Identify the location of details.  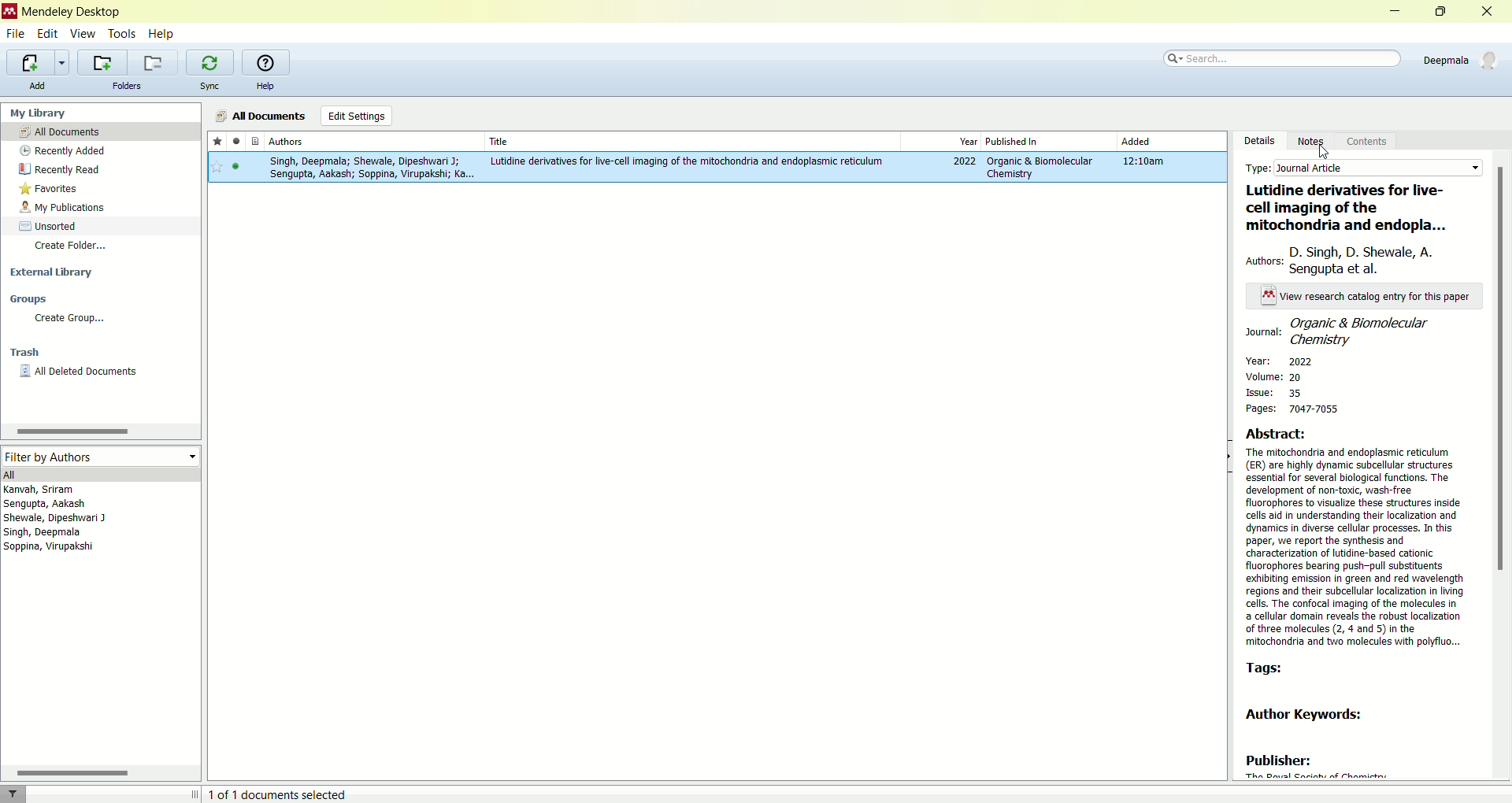
(1256, 140).